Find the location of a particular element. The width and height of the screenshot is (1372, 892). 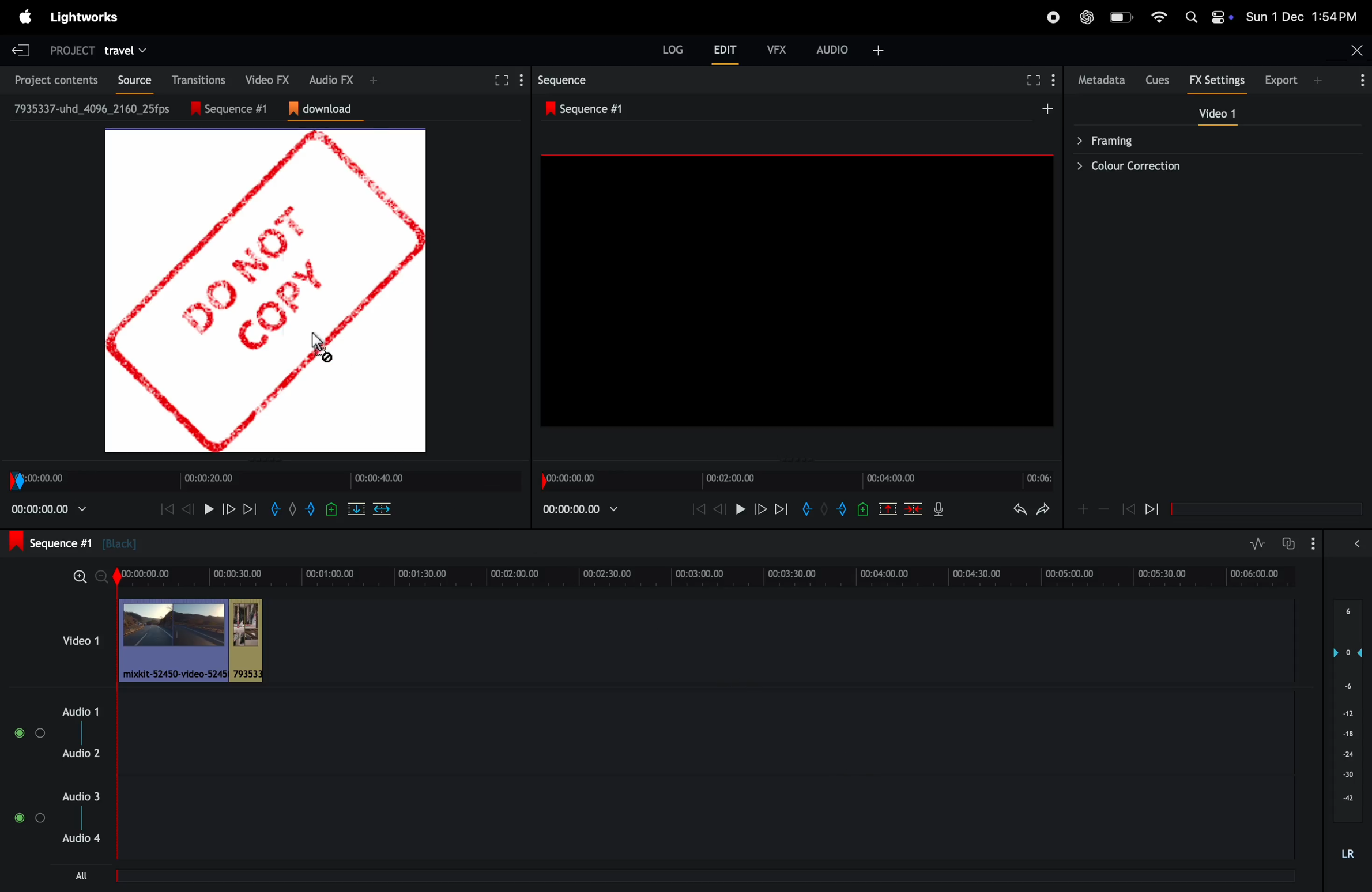

source is located at coordinates (130, 80).